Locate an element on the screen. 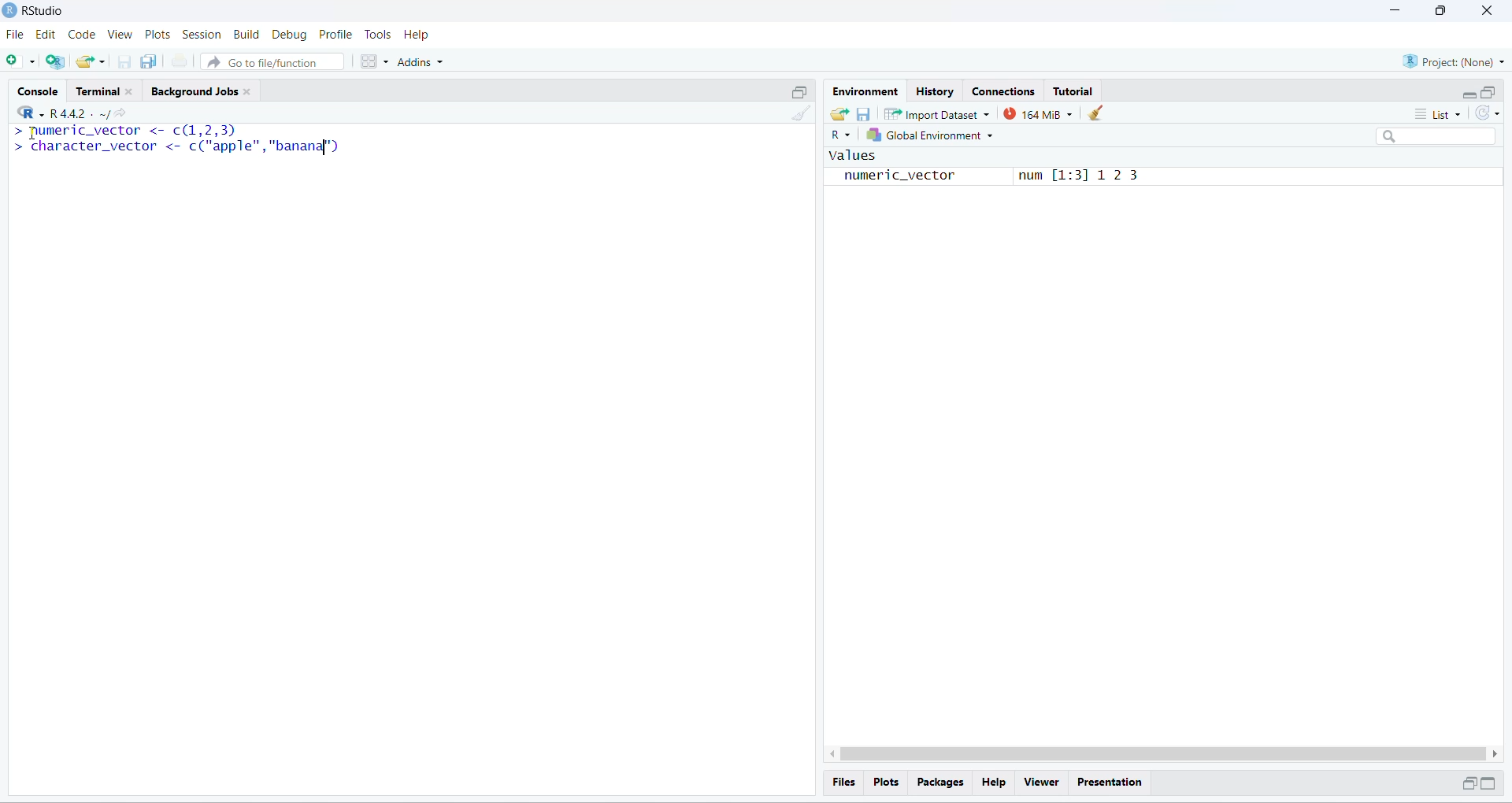 This screenshot has height=803, width=1512. clear is located at coordinates (1098, 113).